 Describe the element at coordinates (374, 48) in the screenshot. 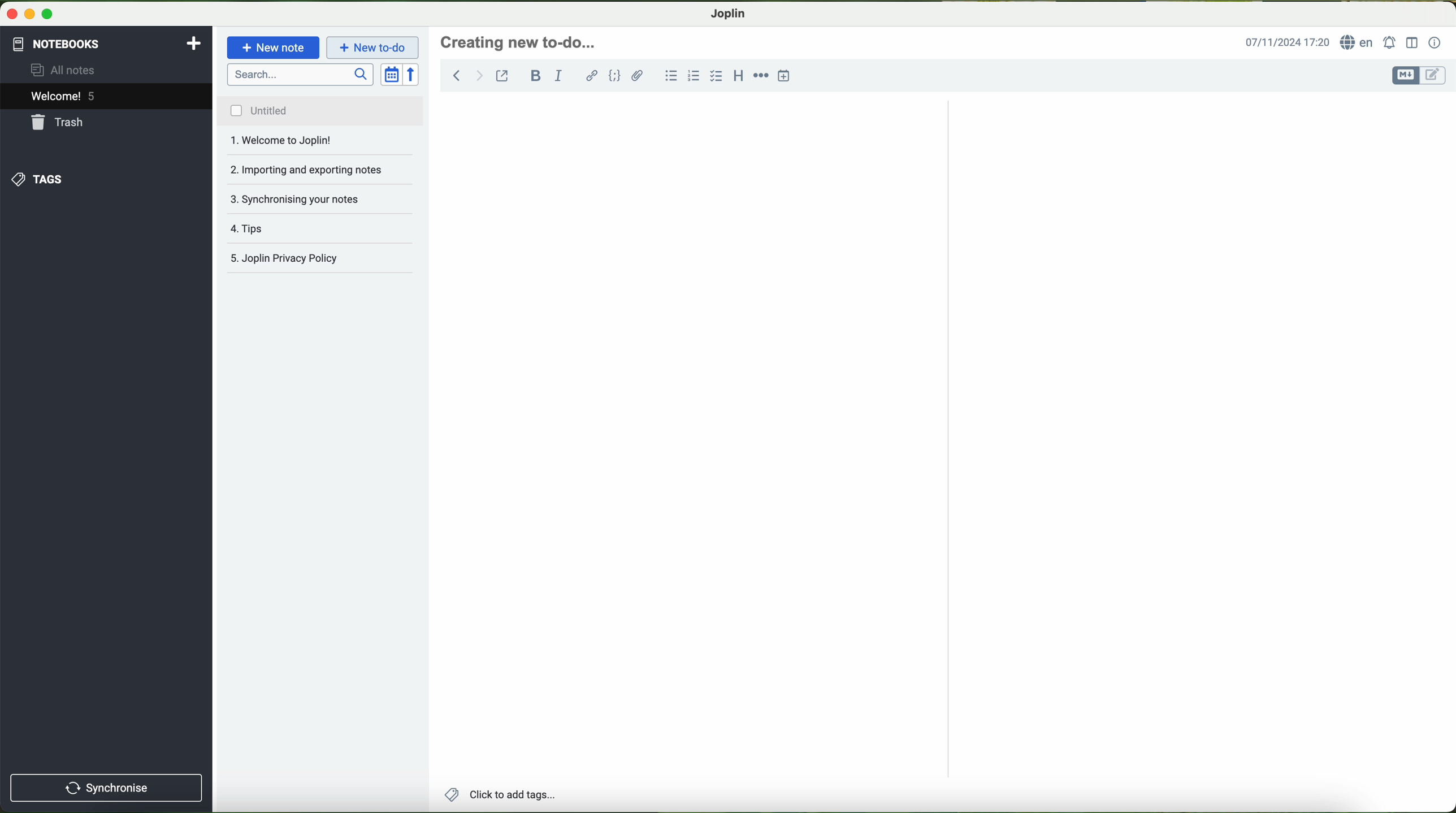

I see `cursor on new to-do button ` at that location.